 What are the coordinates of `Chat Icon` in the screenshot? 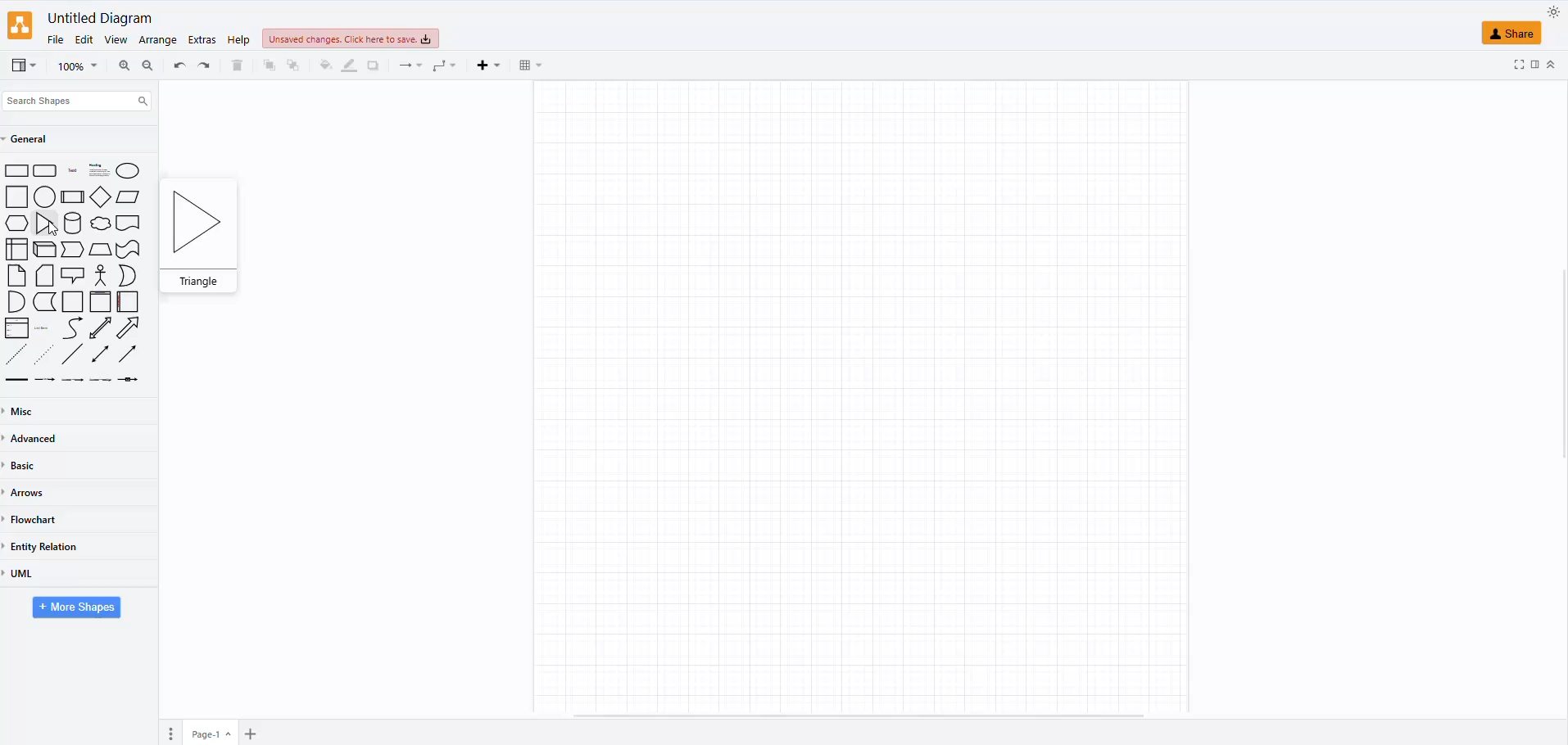 It's located at (73, 275).